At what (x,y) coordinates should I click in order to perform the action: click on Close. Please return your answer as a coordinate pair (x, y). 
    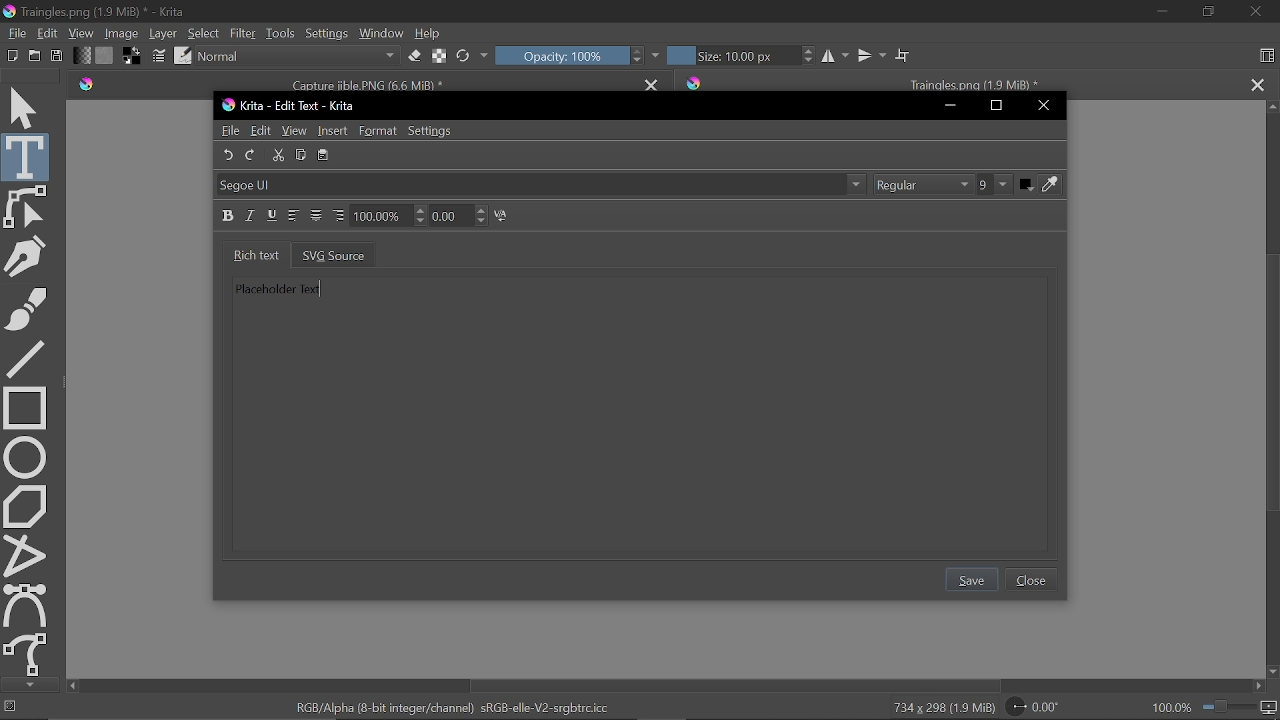
    Looking at the image, I should click on (1046, 105).